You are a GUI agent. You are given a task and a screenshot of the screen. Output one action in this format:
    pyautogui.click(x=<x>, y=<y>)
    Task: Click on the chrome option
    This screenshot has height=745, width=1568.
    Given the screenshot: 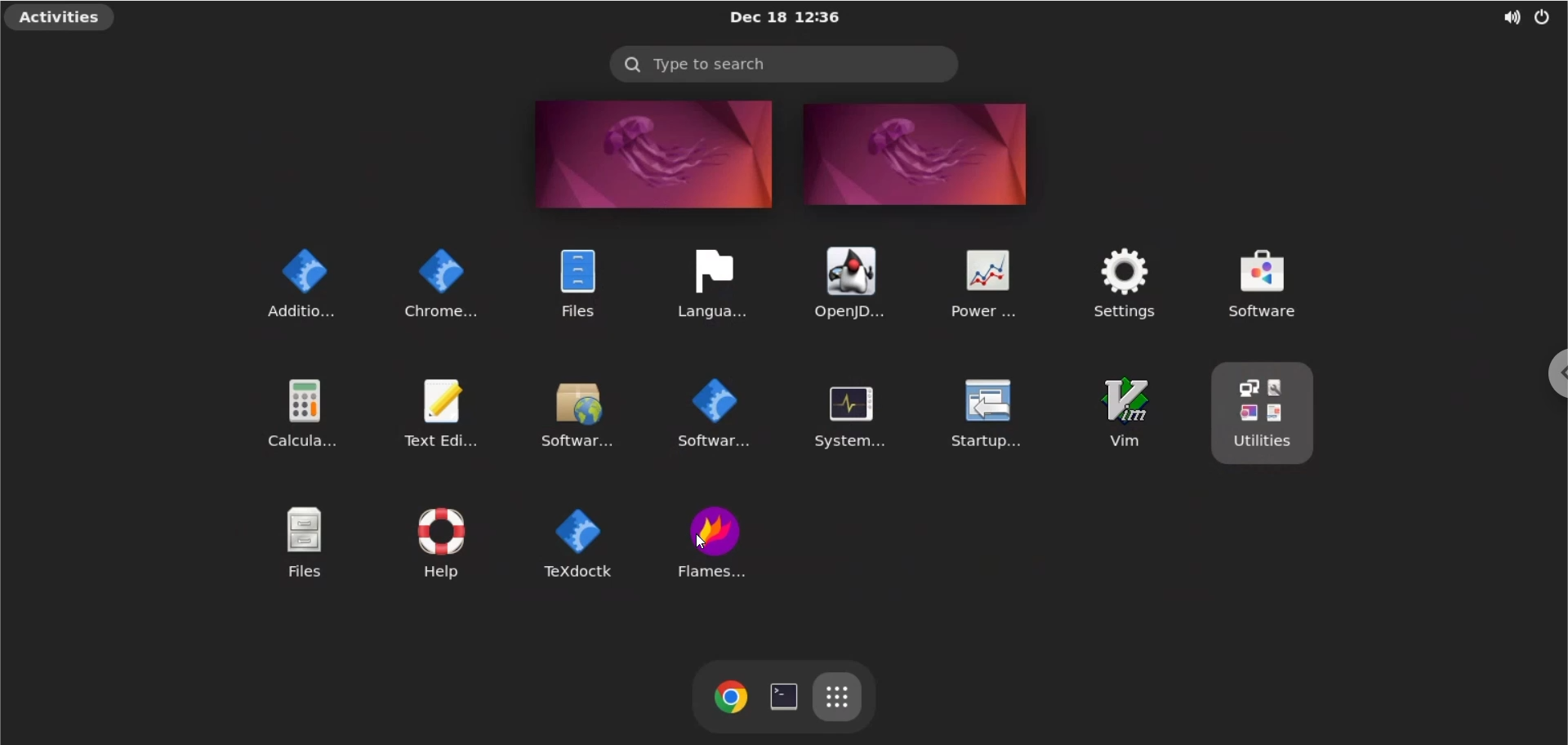 What is the action you would take?
    pyautogui.click(x=1548, y=372)
    